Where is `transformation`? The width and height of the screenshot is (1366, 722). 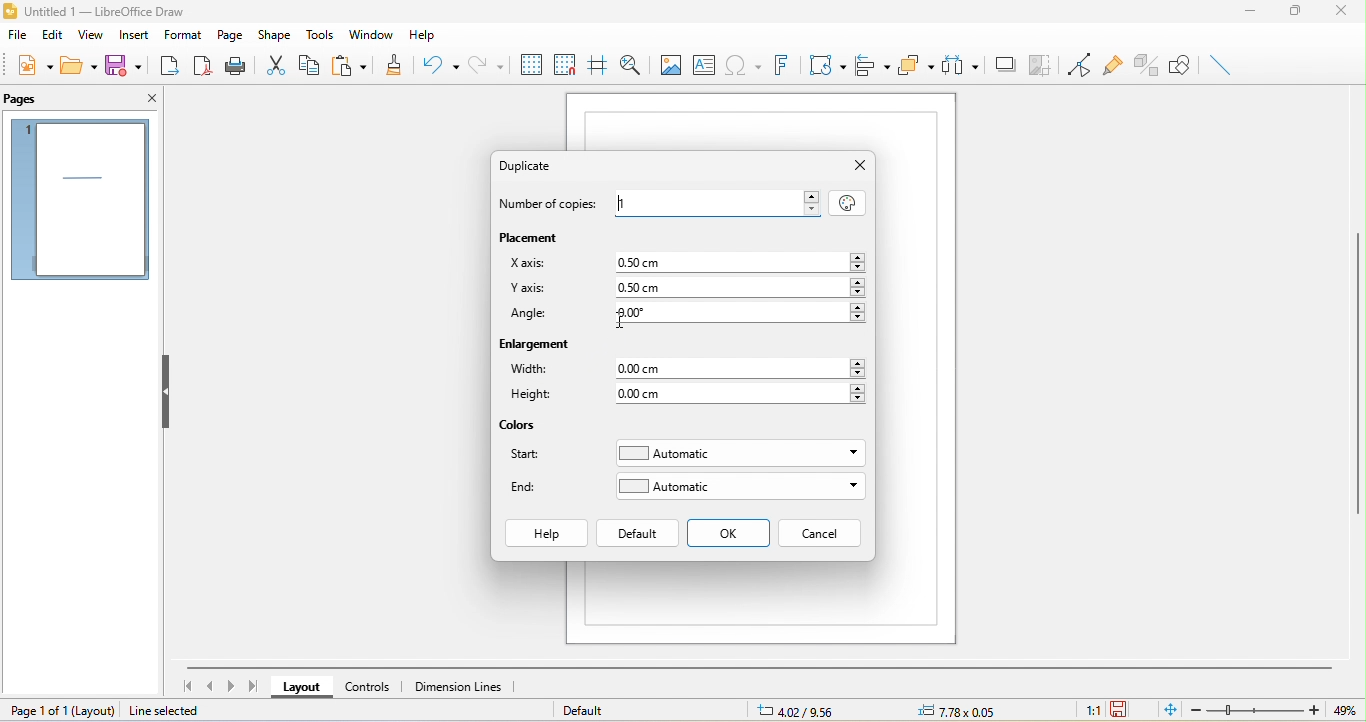 transformation is located at coordinates (825, 66).